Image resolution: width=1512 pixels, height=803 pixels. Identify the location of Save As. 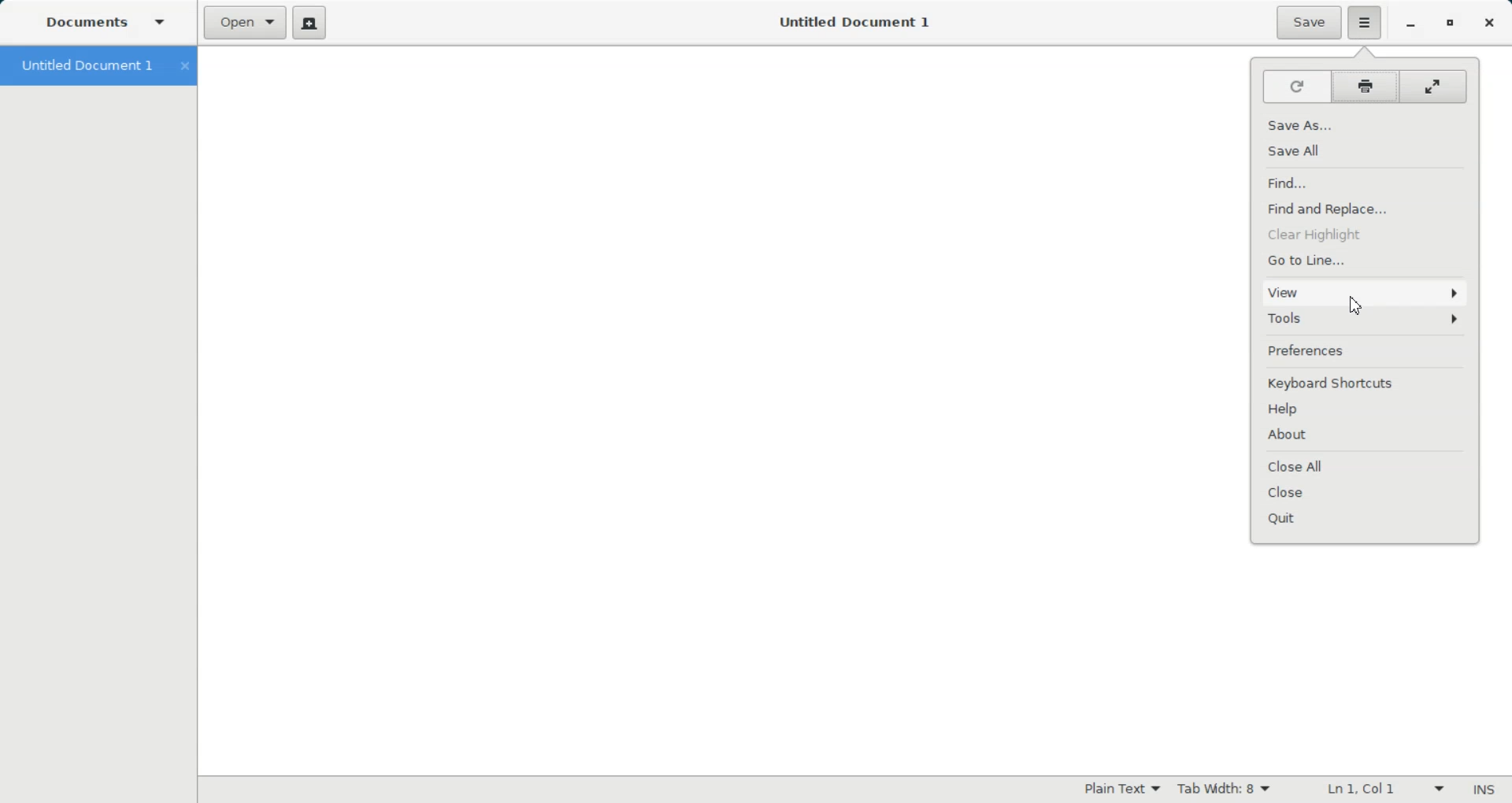
(1362, 123).